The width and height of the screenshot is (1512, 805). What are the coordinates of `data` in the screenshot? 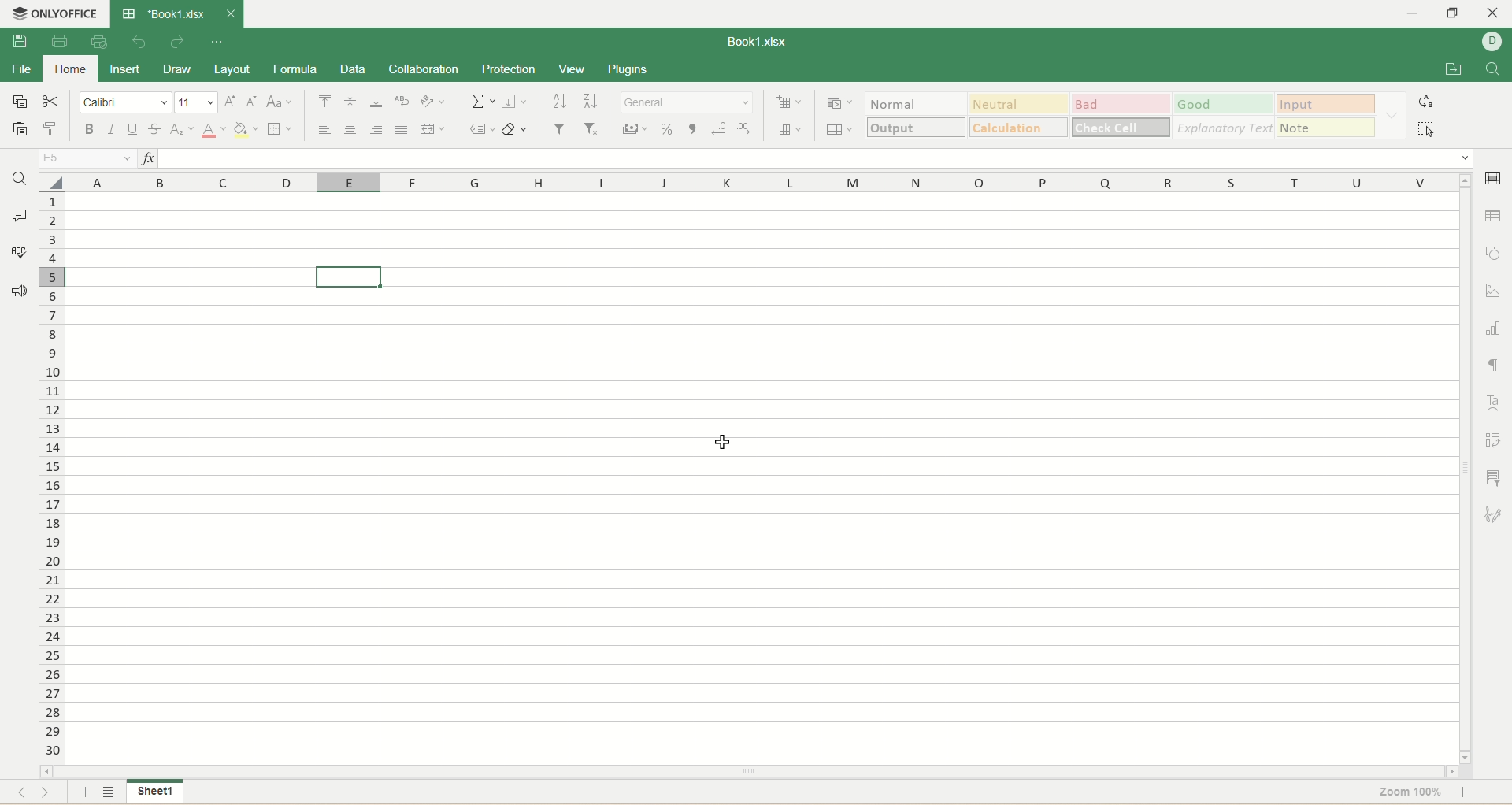 It's located at (353, 69).